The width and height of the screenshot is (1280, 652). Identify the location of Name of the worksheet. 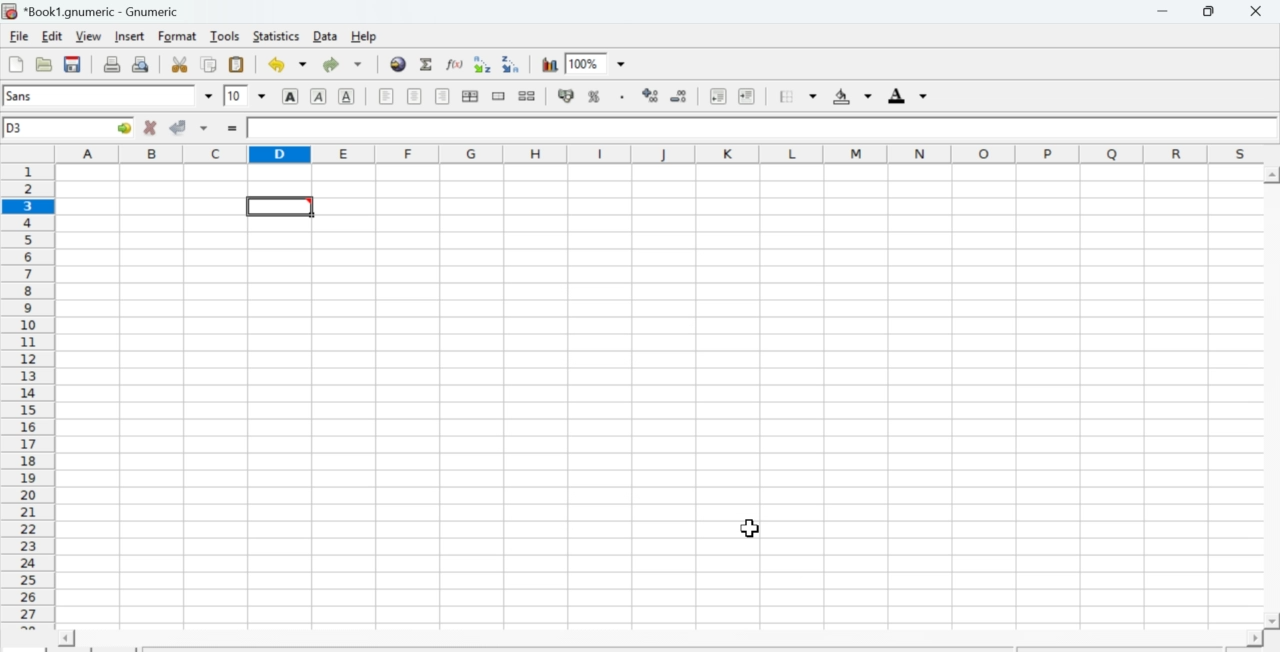
(105, 11).